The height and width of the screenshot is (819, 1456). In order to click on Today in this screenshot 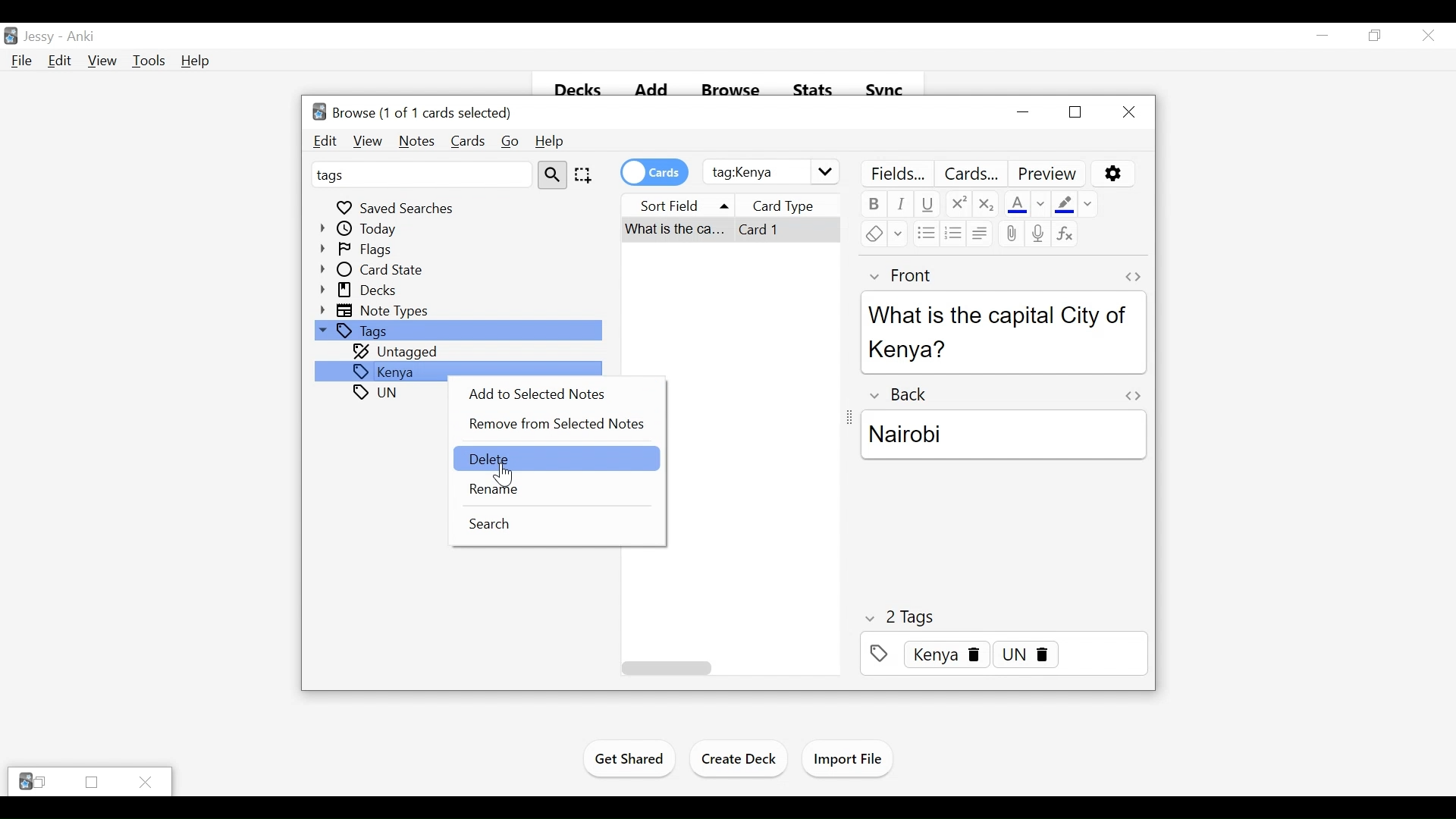, I will do `click(361, 228)`.